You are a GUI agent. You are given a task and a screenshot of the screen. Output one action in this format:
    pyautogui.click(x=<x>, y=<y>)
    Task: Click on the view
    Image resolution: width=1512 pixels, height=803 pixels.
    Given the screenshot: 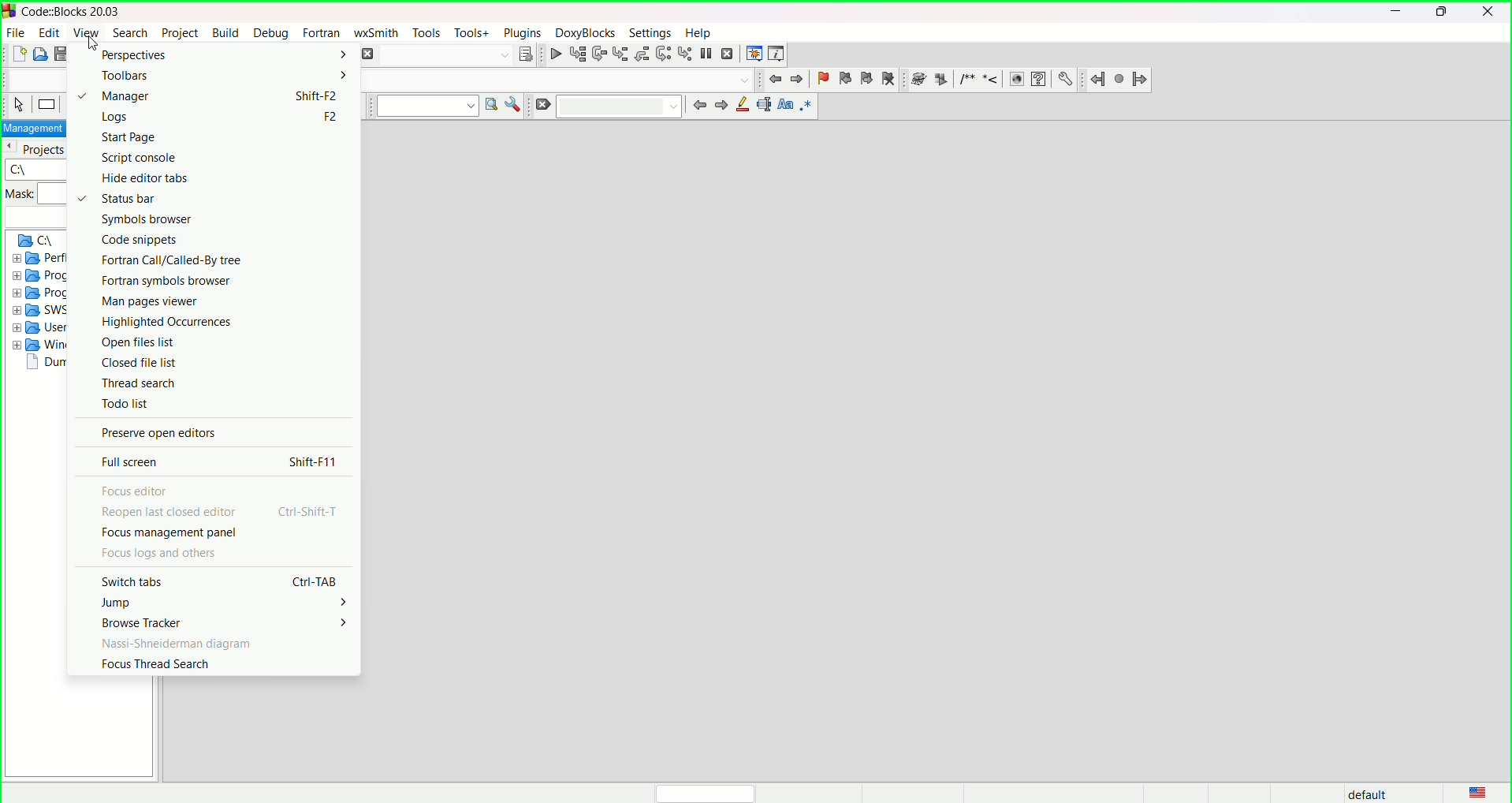 What is the action you would take?
    pyautogui.click(x=84, y=33)
    